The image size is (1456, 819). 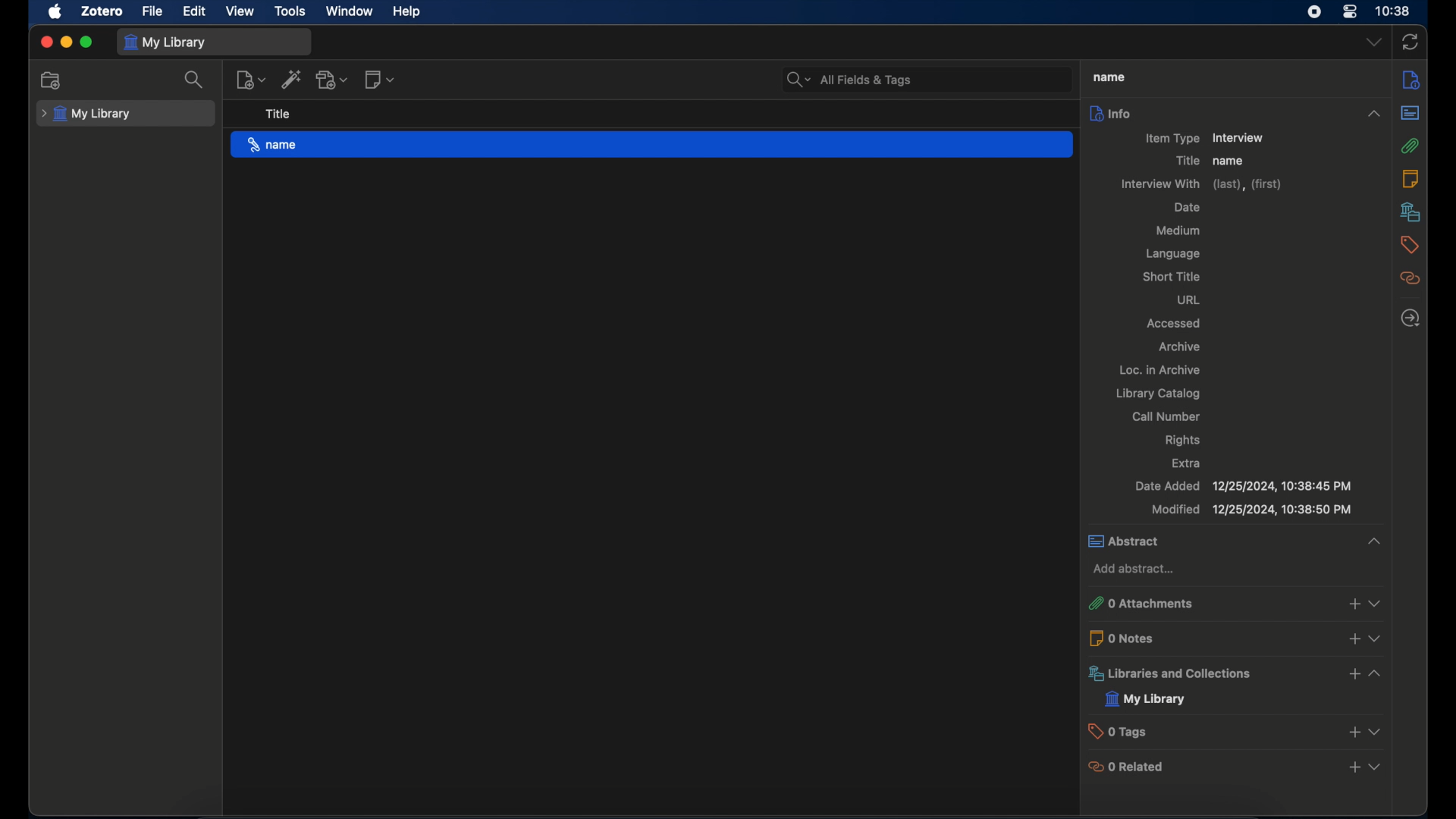 I want to click on view, so click(x=1374, y=731).